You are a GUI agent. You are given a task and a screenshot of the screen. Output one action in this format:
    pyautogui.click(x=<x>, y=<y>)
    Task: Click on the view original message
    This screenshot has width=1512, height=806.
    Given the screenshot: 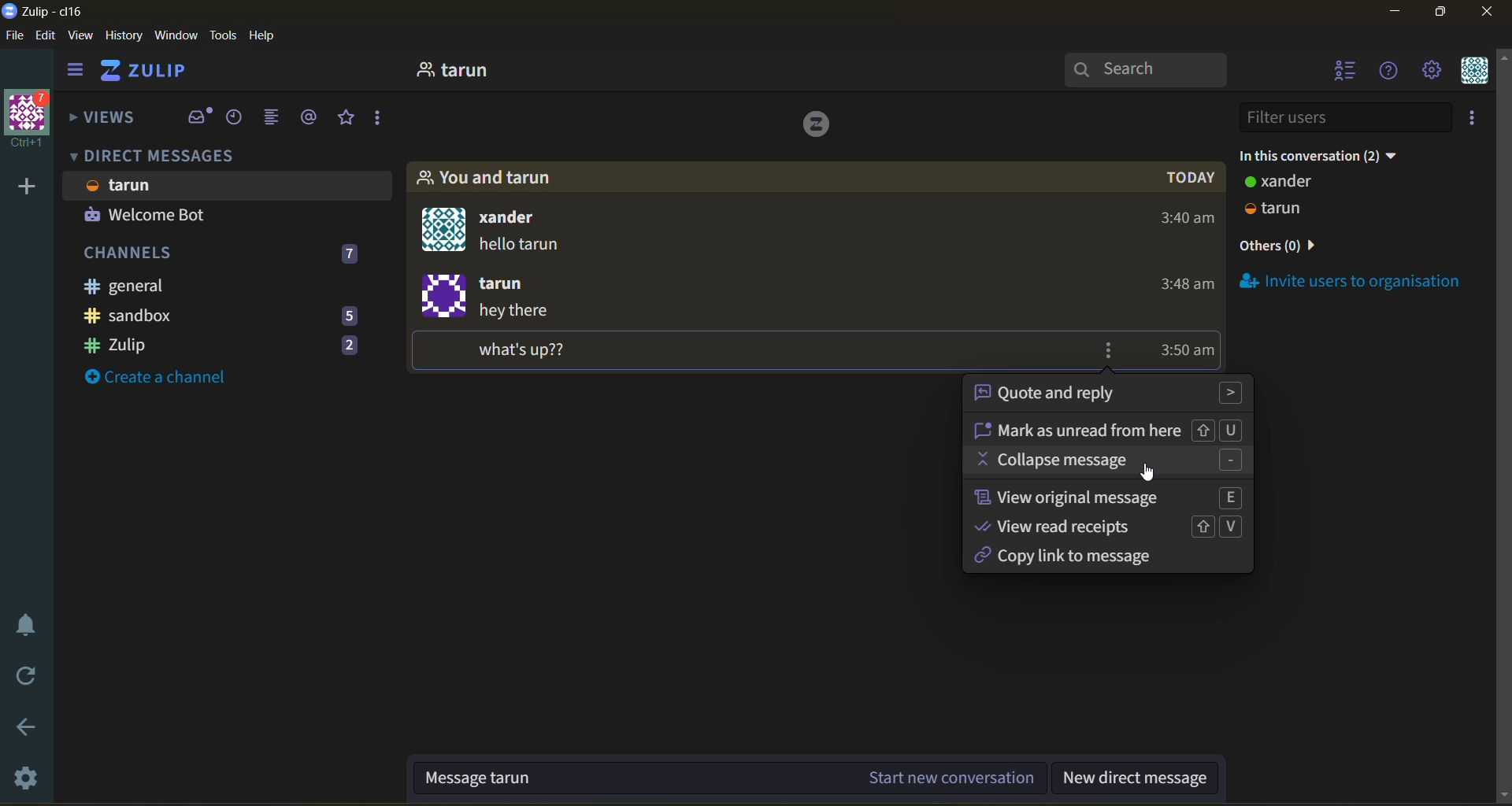 What is the action you would take?
    pyautogui.click(x=1109, y=497)
    